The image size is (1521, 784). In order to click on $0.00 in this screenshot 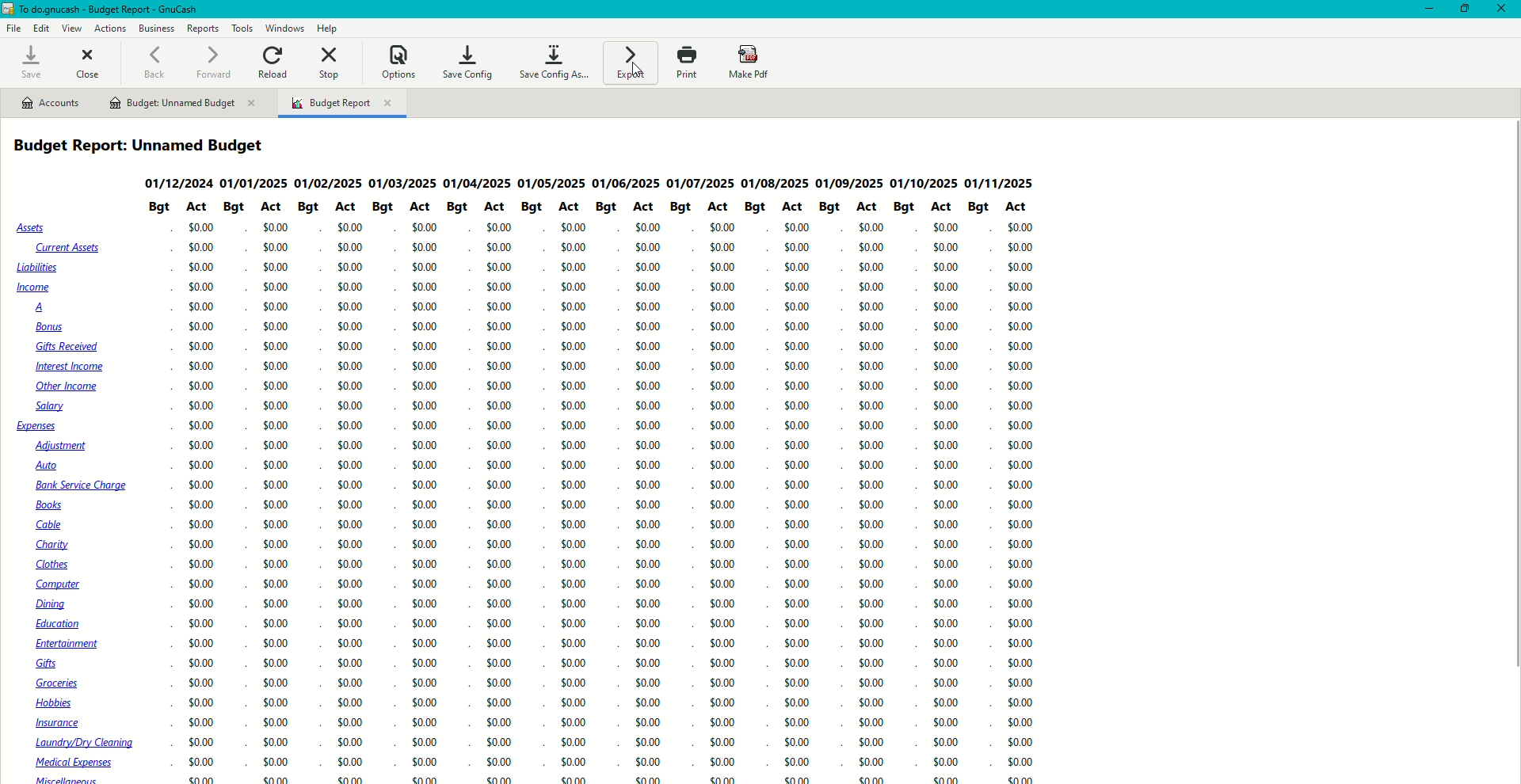, I will do `click(350, 625)`.